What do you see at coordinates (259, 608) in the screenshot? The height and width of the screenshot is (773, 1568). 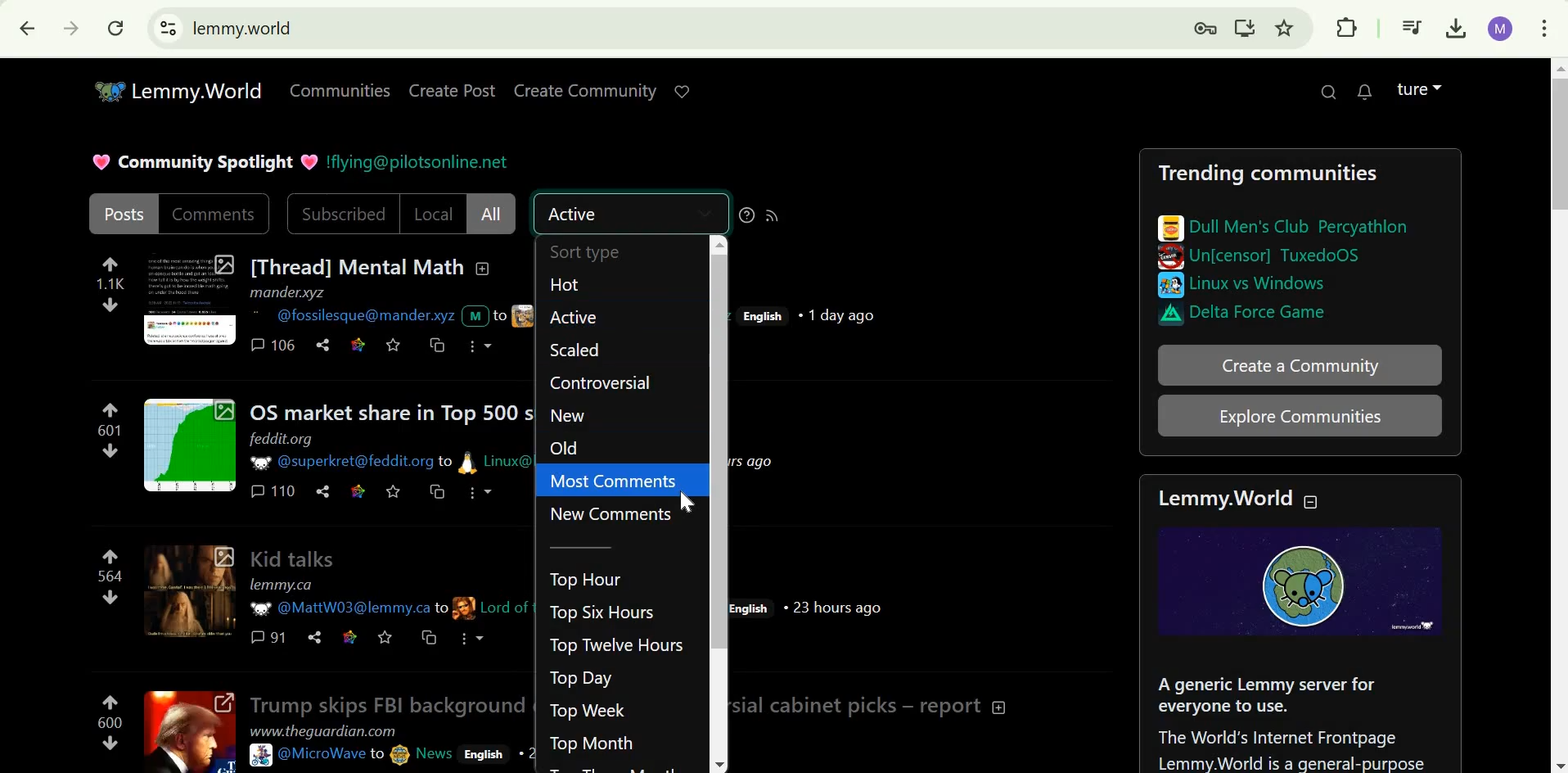 I see `picture` at bounding box center [259, 608].